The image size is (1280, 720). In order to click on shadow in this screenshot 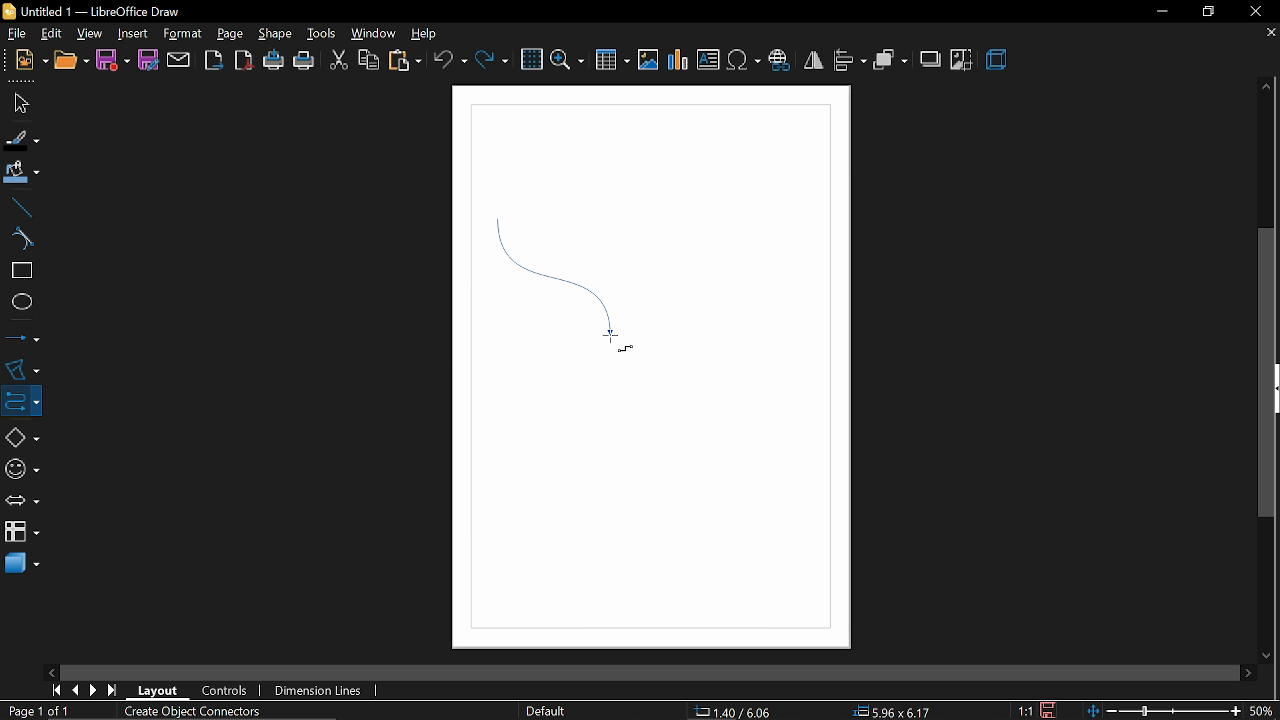, I will do `click(929, 59)`.